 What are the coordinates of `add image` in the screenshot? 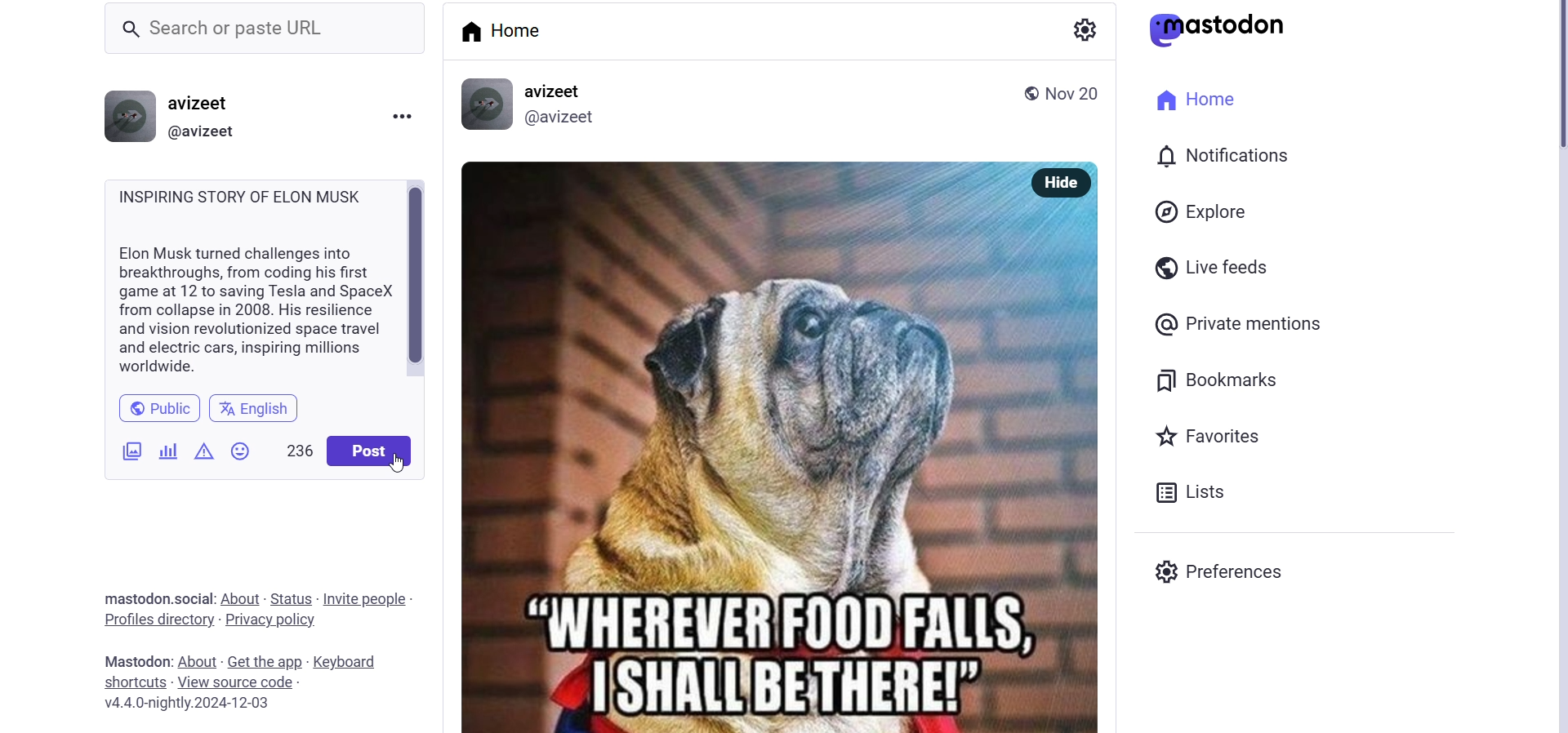 It's located at (123, 452).